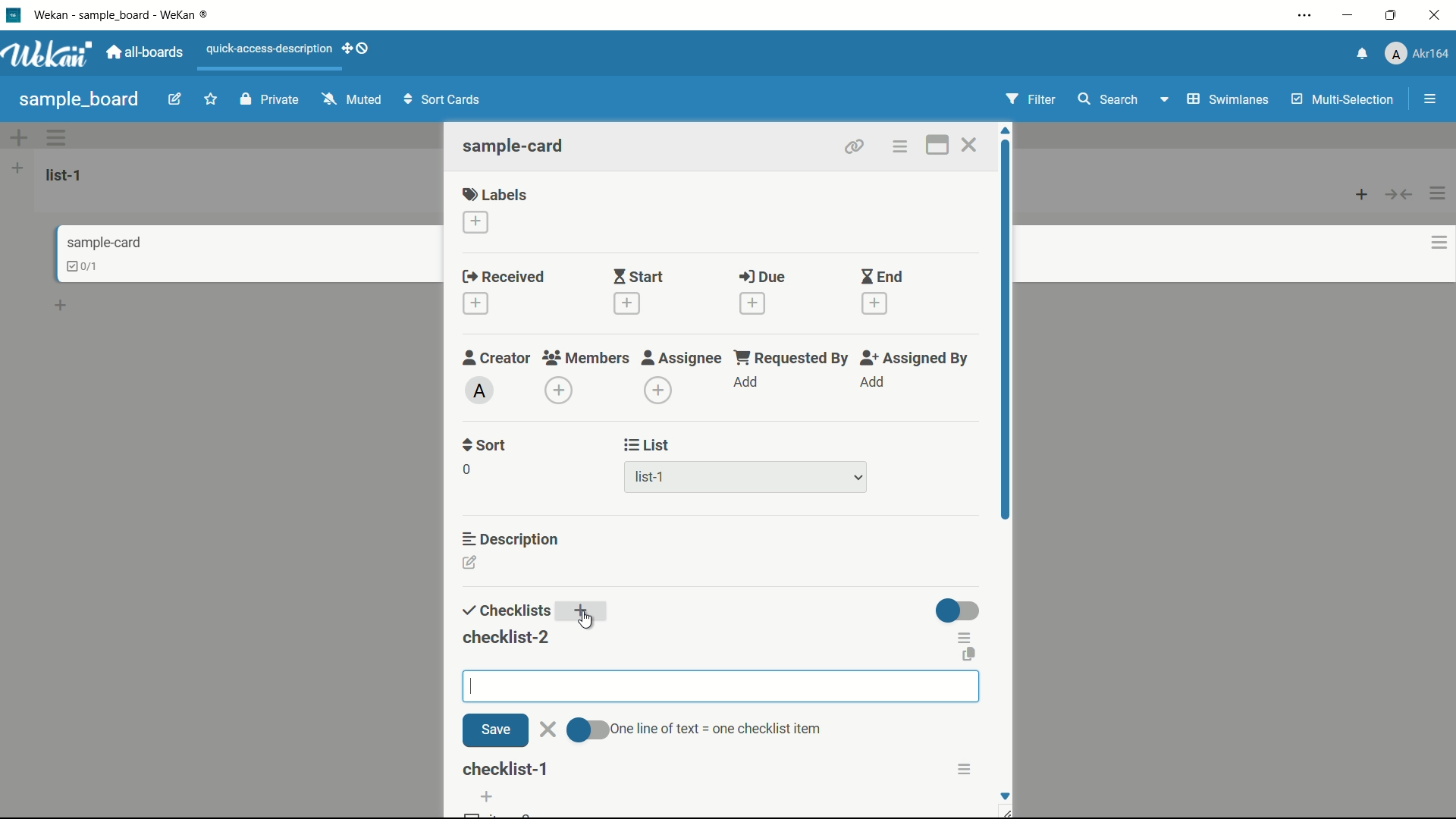 The height and width of the screenshot is (819, 1456). Describe the element at coordinates (875, 304) in the screenshot. I see `add date` at that location.